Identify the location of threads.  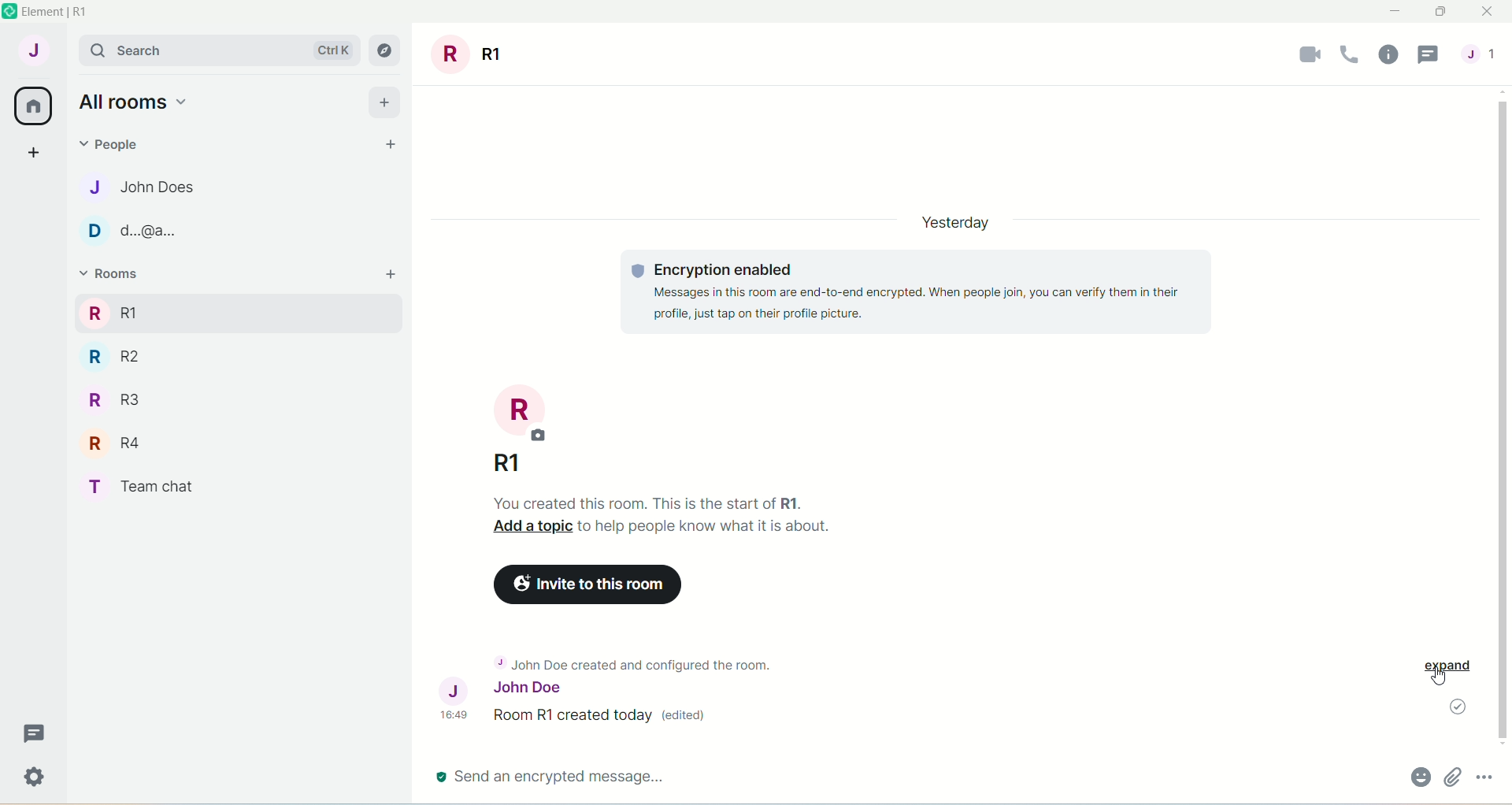
(39, 730).